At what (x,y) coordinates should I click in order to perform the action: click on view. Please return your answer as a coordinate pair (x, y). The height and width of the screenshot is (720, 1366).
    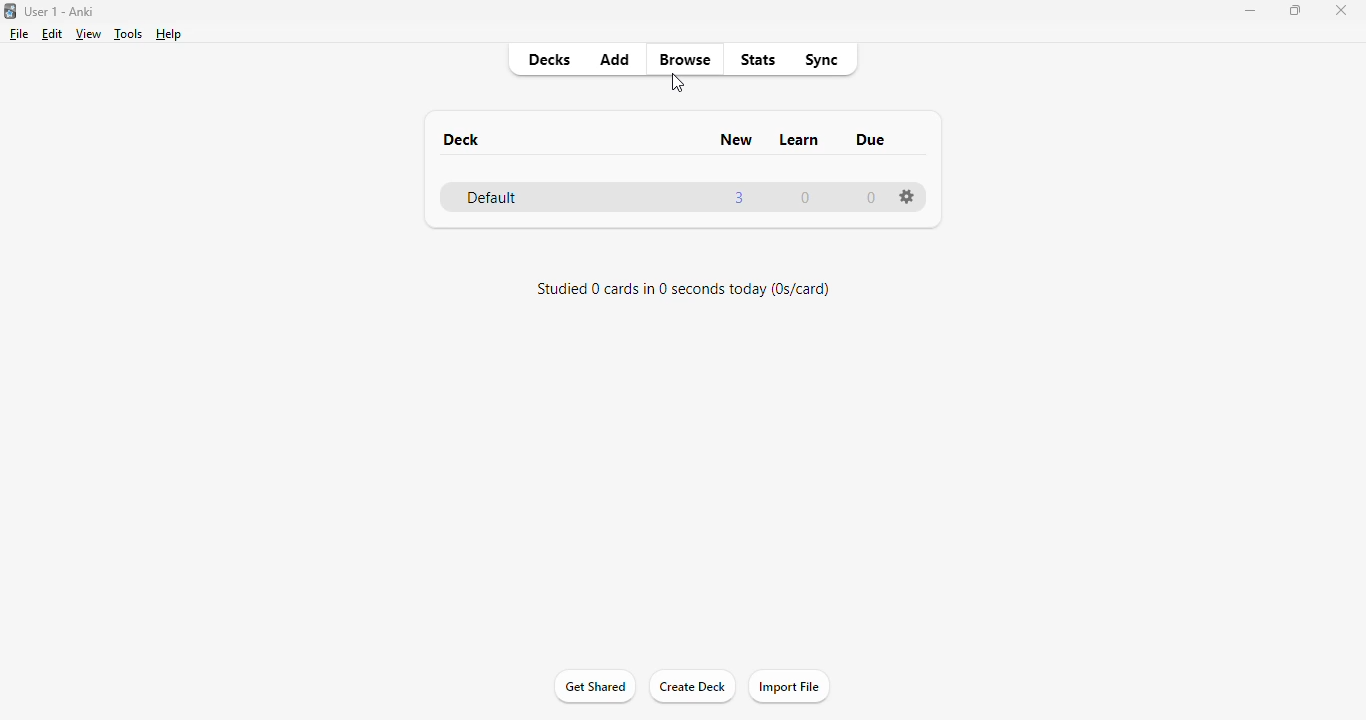
    Looking at the image, I should click on (89, 34).